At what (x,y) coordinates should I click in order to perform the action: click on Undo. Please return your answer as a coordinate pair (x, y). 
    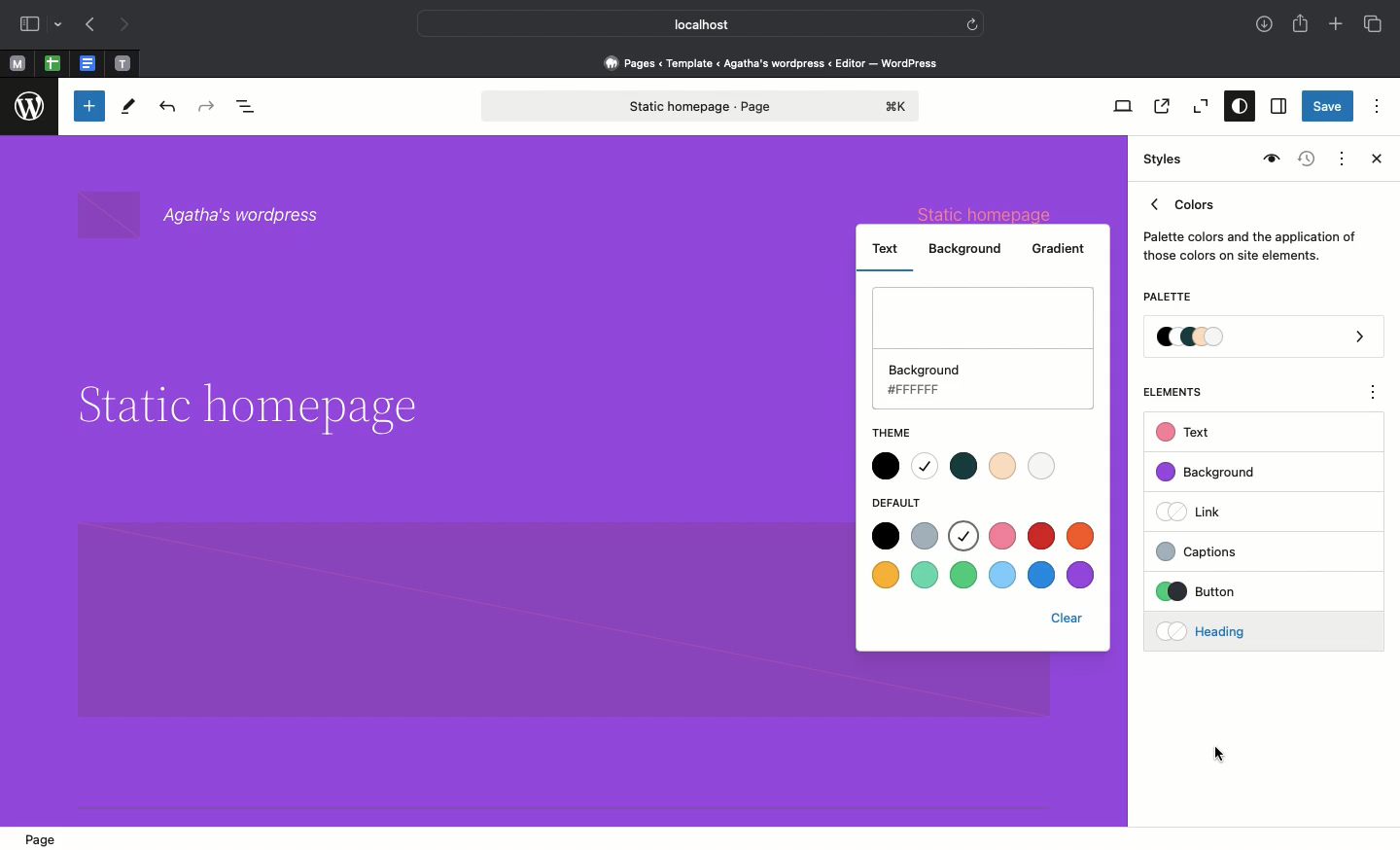
    Looking at the image, I should click on (167, 108).